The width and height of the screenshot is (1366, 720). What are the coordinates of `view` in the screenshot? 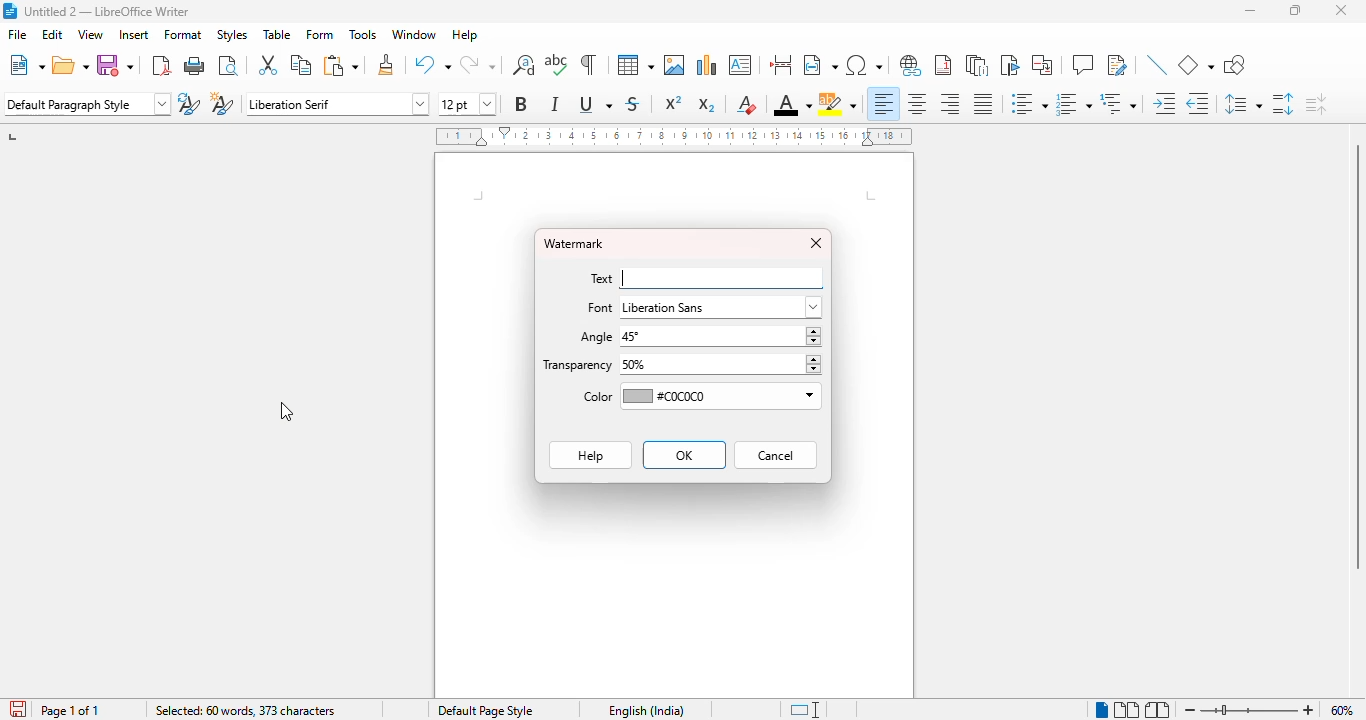 It's located at (90, 34).